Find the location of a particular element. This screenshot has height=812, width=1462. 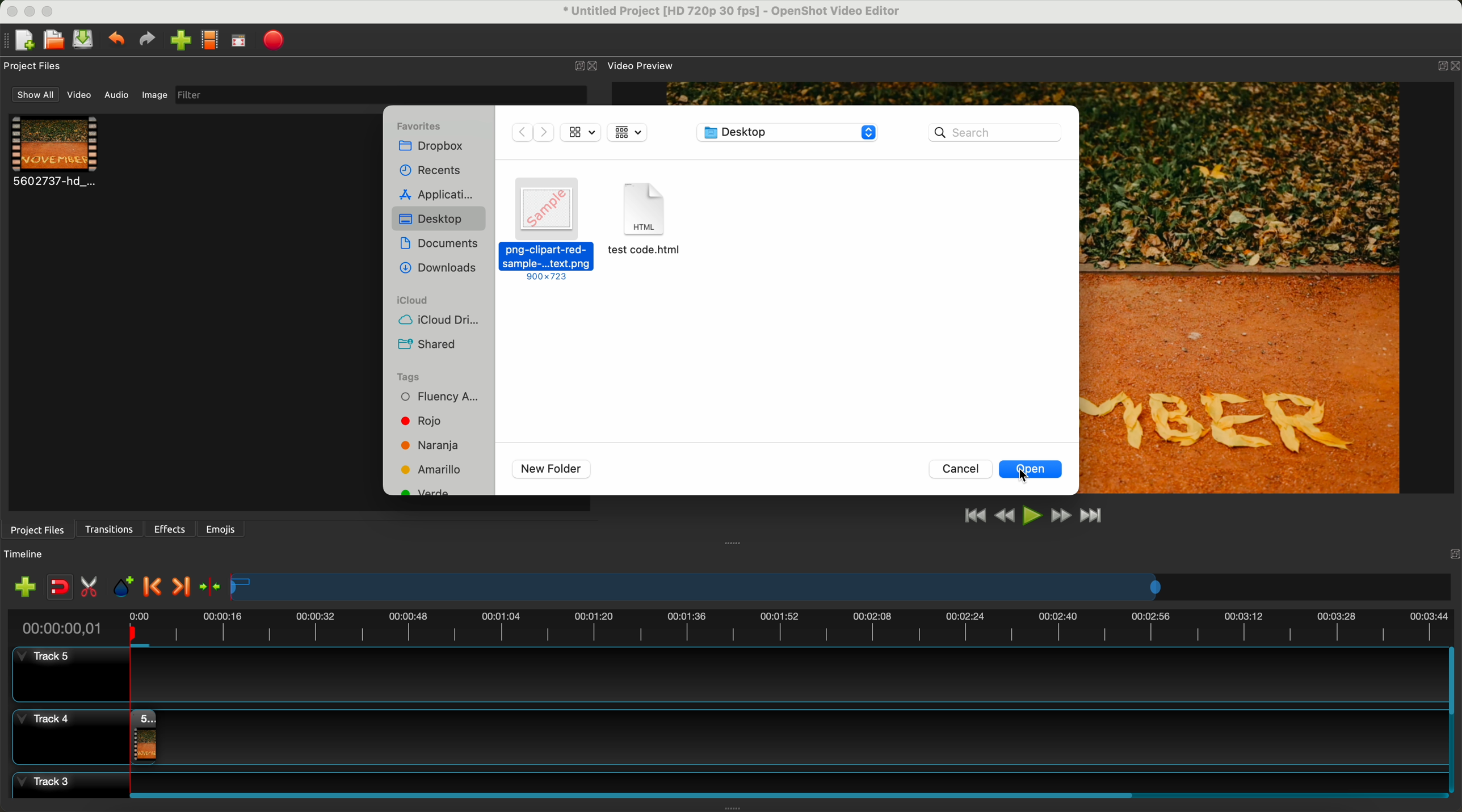

add mark is located at coordinates (126, 589).